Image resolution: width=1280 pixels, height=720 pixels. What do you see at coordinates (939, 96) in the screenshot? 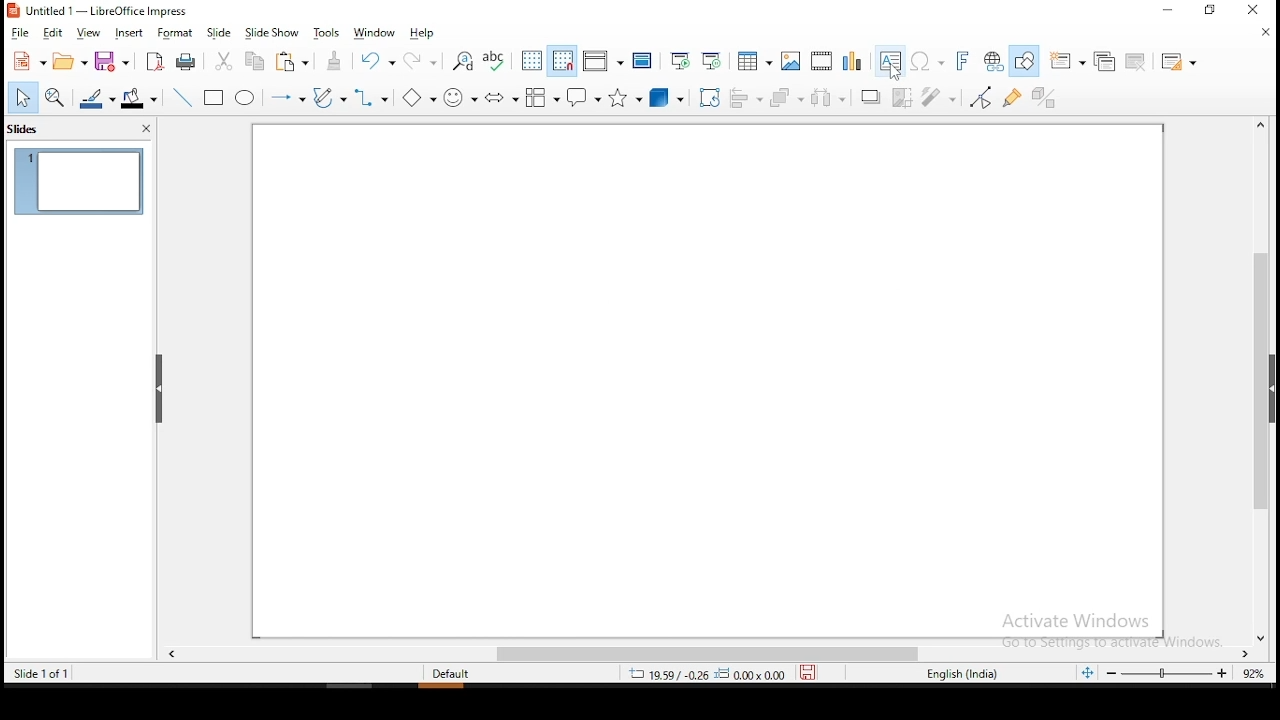
I see `` at bounding box center [939, 96].